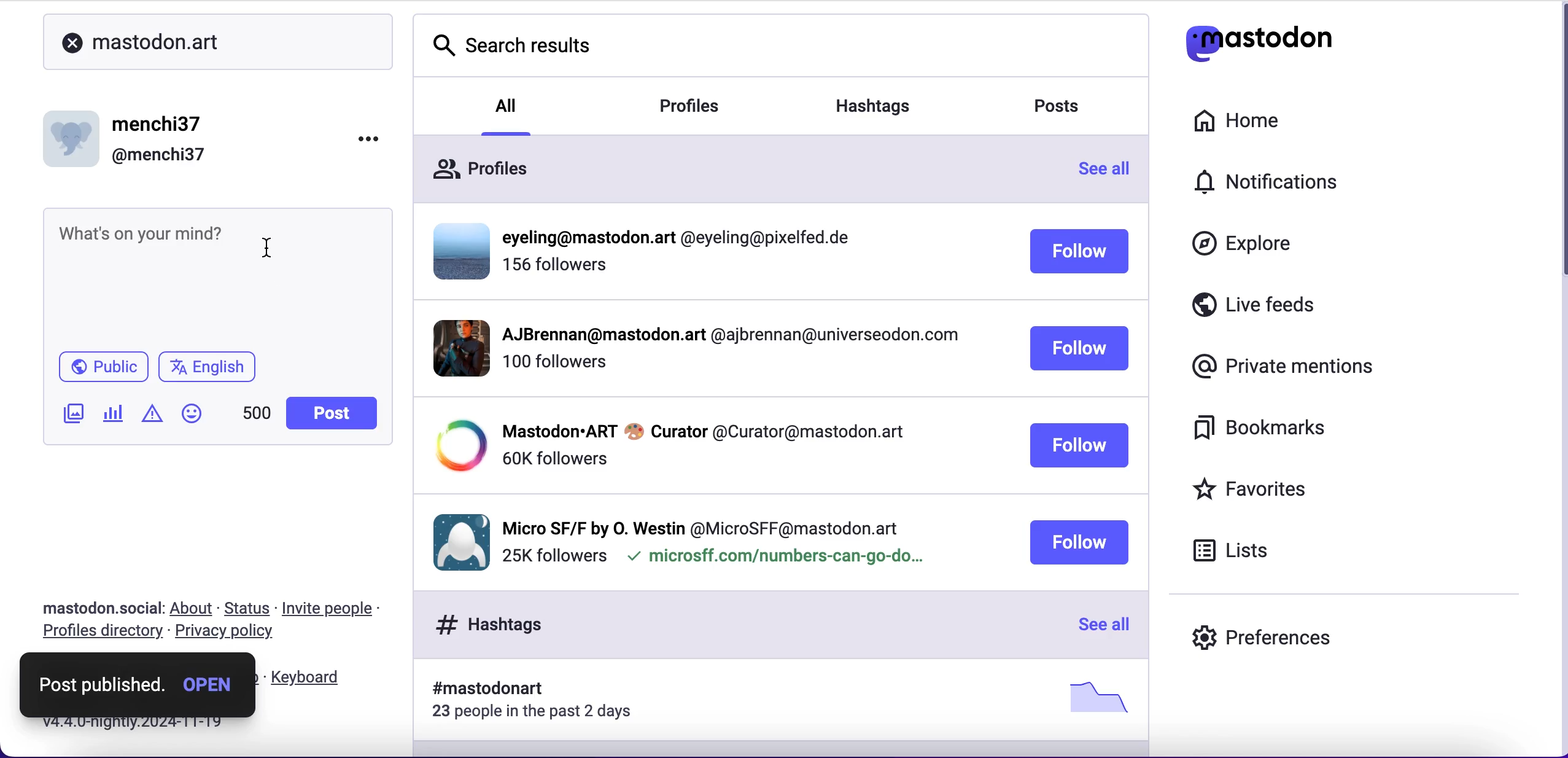  I want to click on profiles directory, so click(98, 633).